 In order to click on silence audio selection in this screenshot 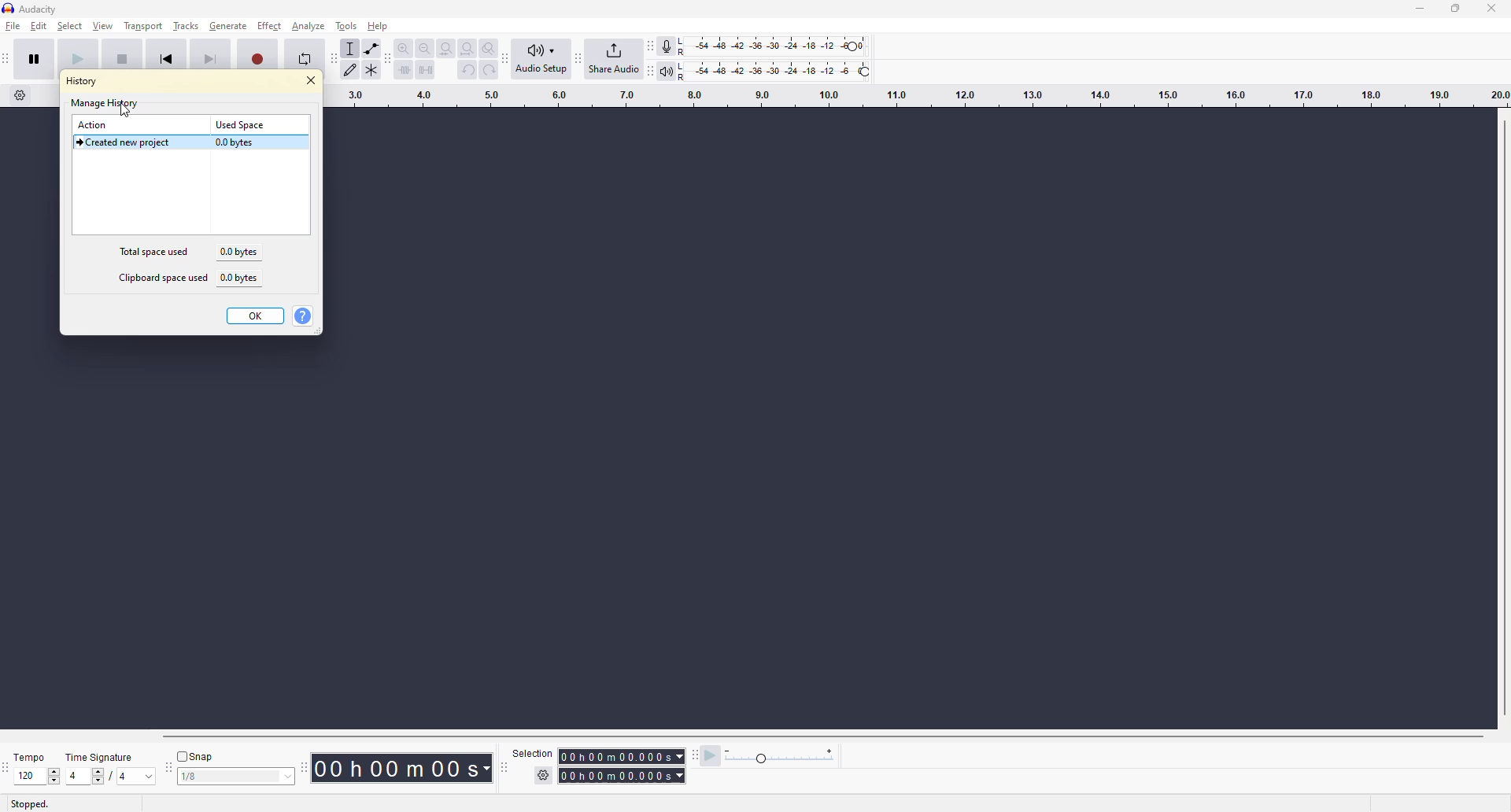, I will do `click(427, 70)`.